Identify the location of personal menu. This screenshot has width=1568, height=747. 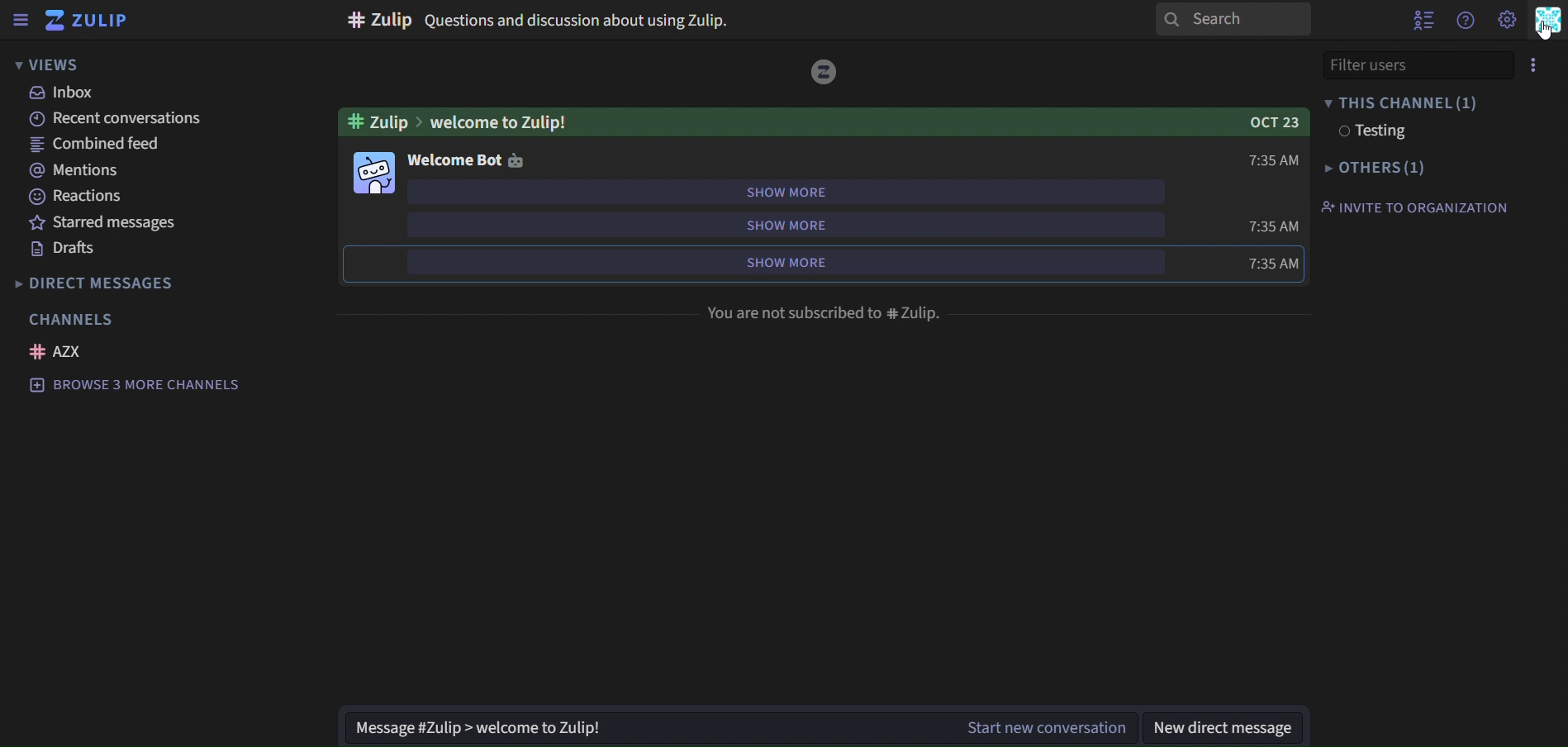
(1551, 21).